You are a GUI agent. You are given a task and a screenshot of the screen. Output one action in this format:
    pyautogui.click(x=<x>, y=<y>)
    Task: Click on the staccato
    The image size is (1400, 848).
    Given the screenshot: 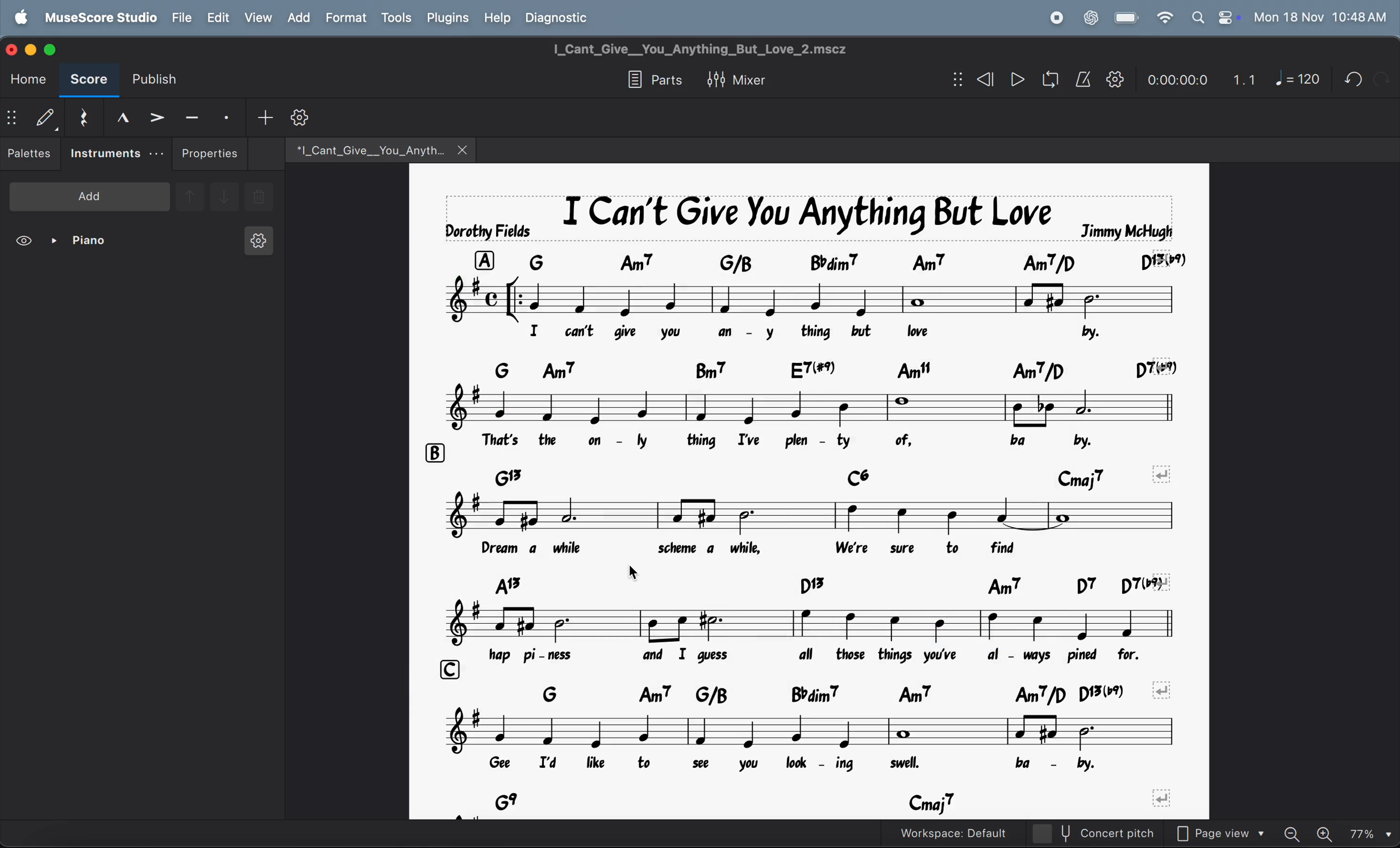 What is the action you would take?
    pyautogui.click(x=228, y=116)
    